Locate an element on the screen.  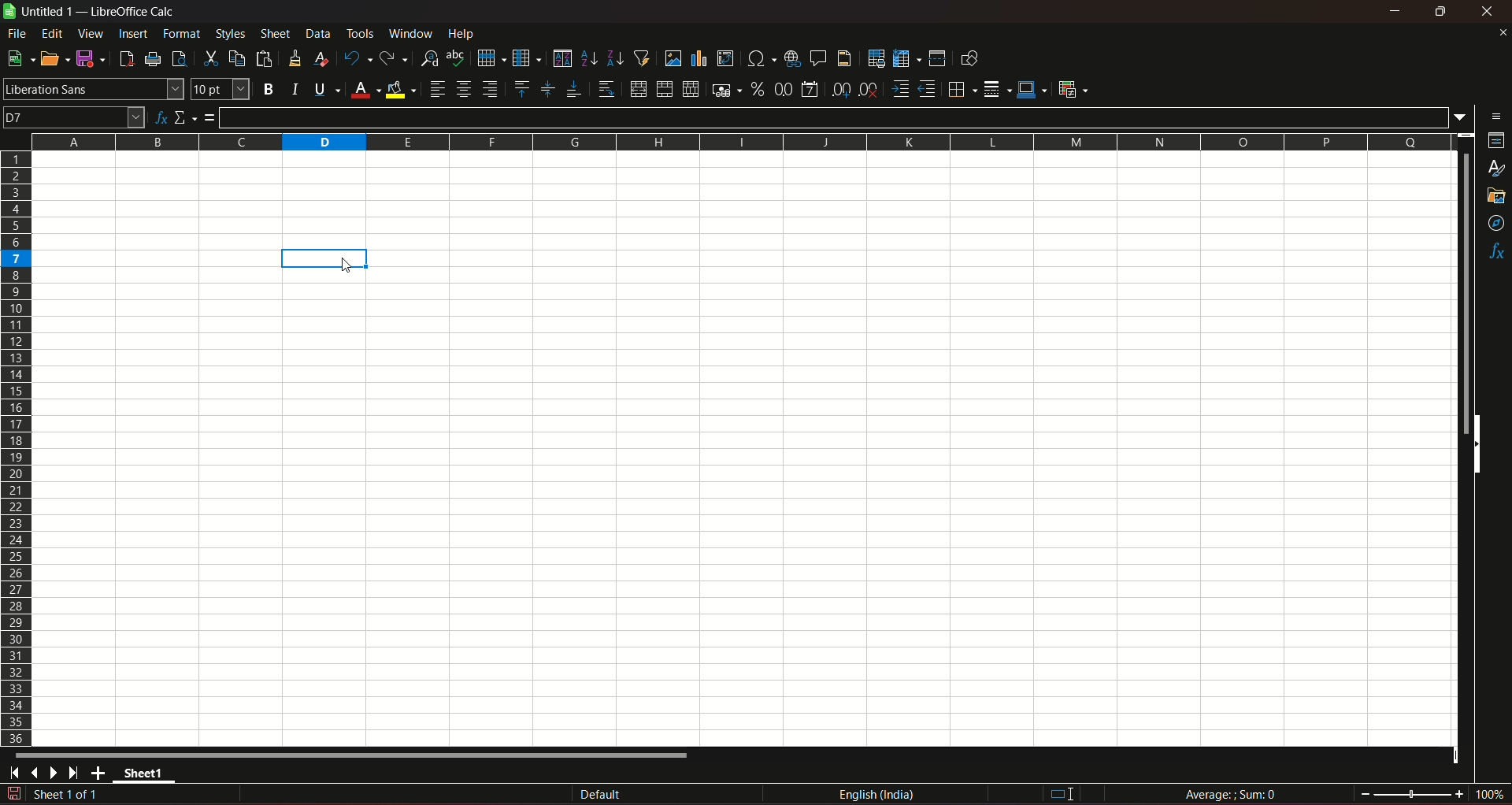
column is located at coordinates (525, 57).